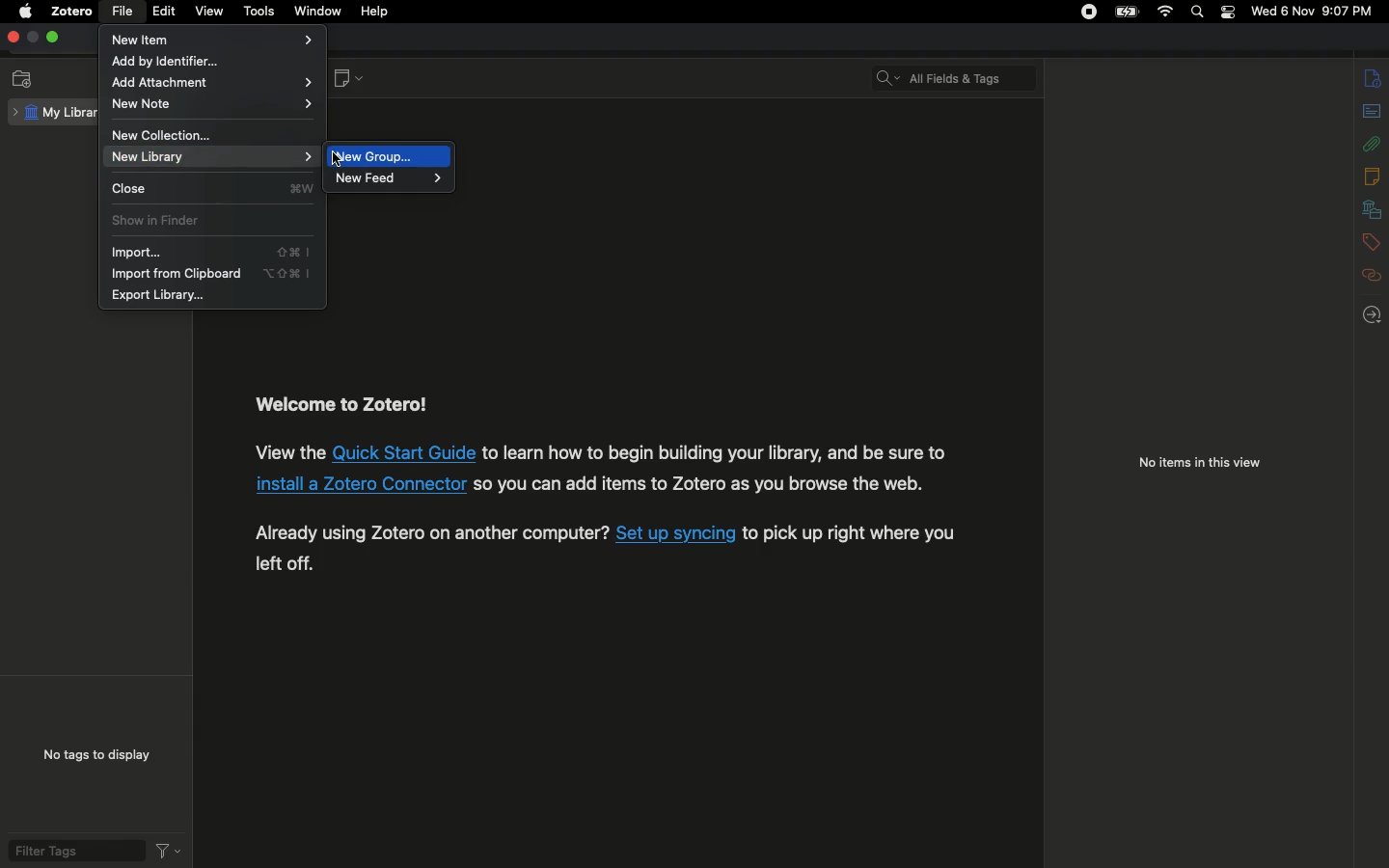 The width and height of the screenshot is (1389, 868). Describe the element at coordinates (168, 850) in the screenshot. I see `Filter` at that location.